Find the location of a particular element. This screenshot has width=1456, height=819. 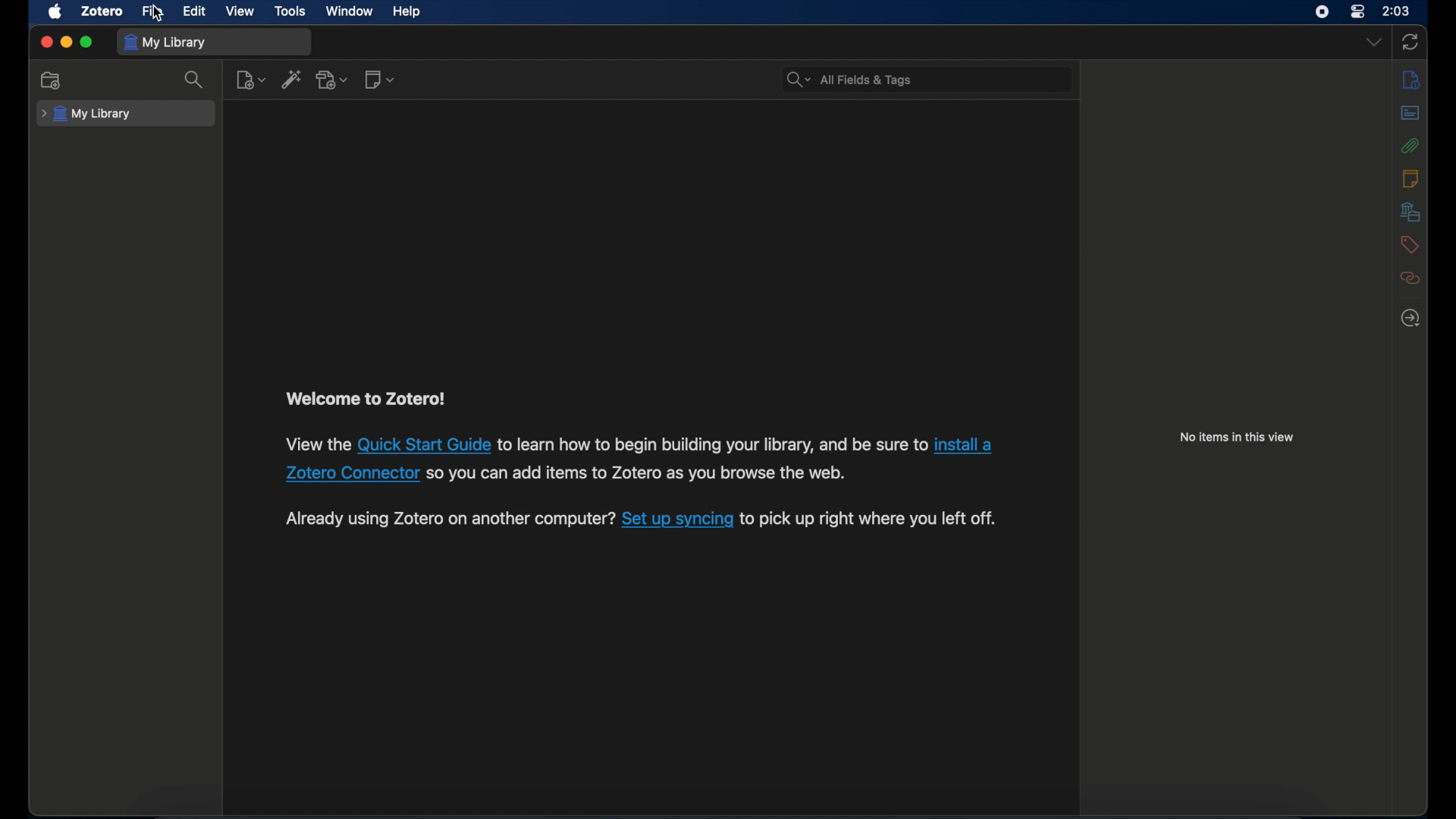

my library is located at coordinates (86, 114).